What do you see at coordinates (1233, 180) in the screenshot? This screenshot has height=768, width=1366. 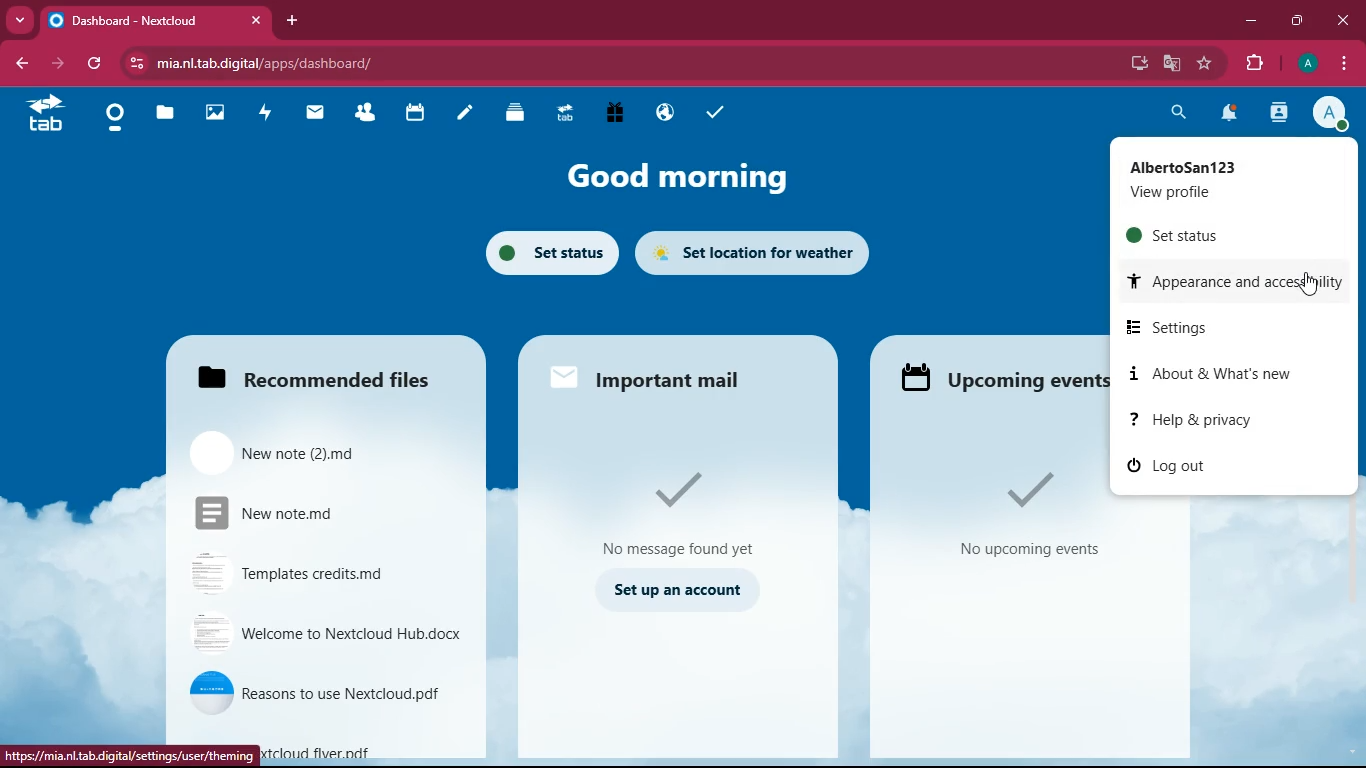 I see `profile` at bounding box center [1233, 180].